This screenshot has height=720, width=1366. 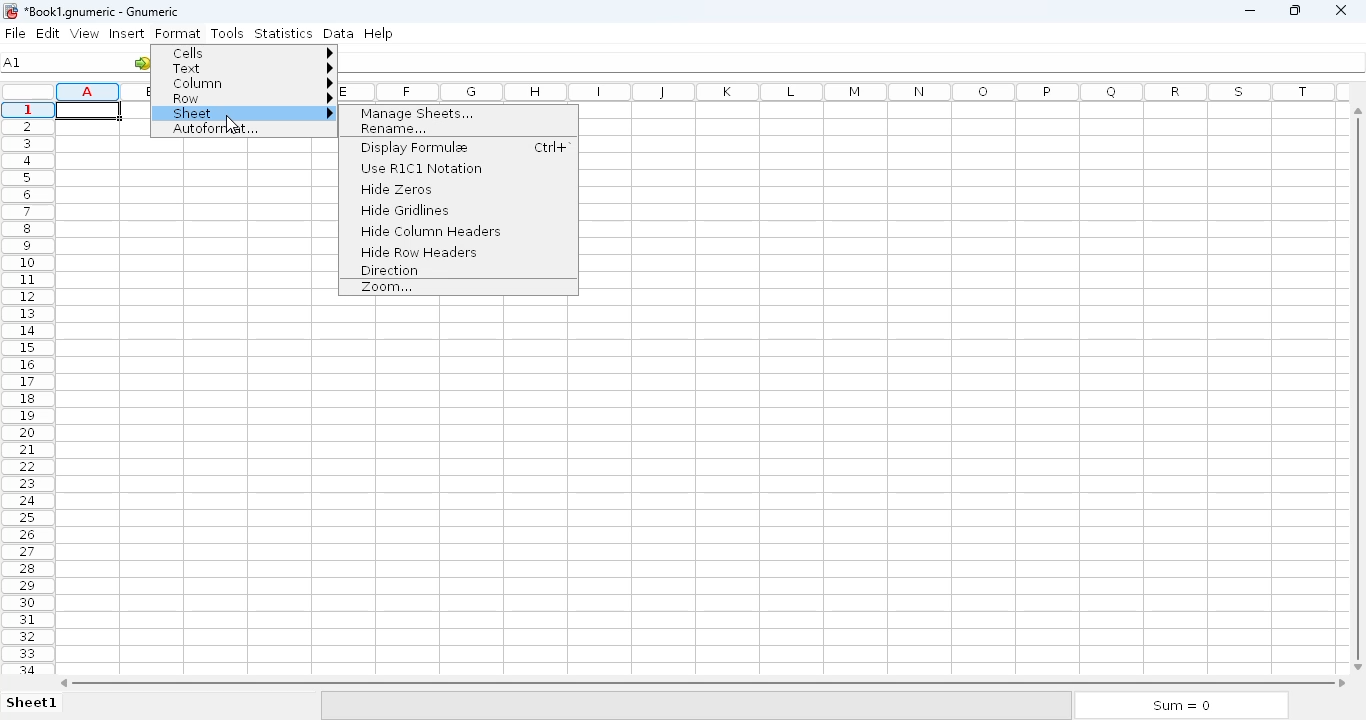 What do you see at coordinates (84, 33) in the screenshot?
I see `view` at bounding box center [84, 33].